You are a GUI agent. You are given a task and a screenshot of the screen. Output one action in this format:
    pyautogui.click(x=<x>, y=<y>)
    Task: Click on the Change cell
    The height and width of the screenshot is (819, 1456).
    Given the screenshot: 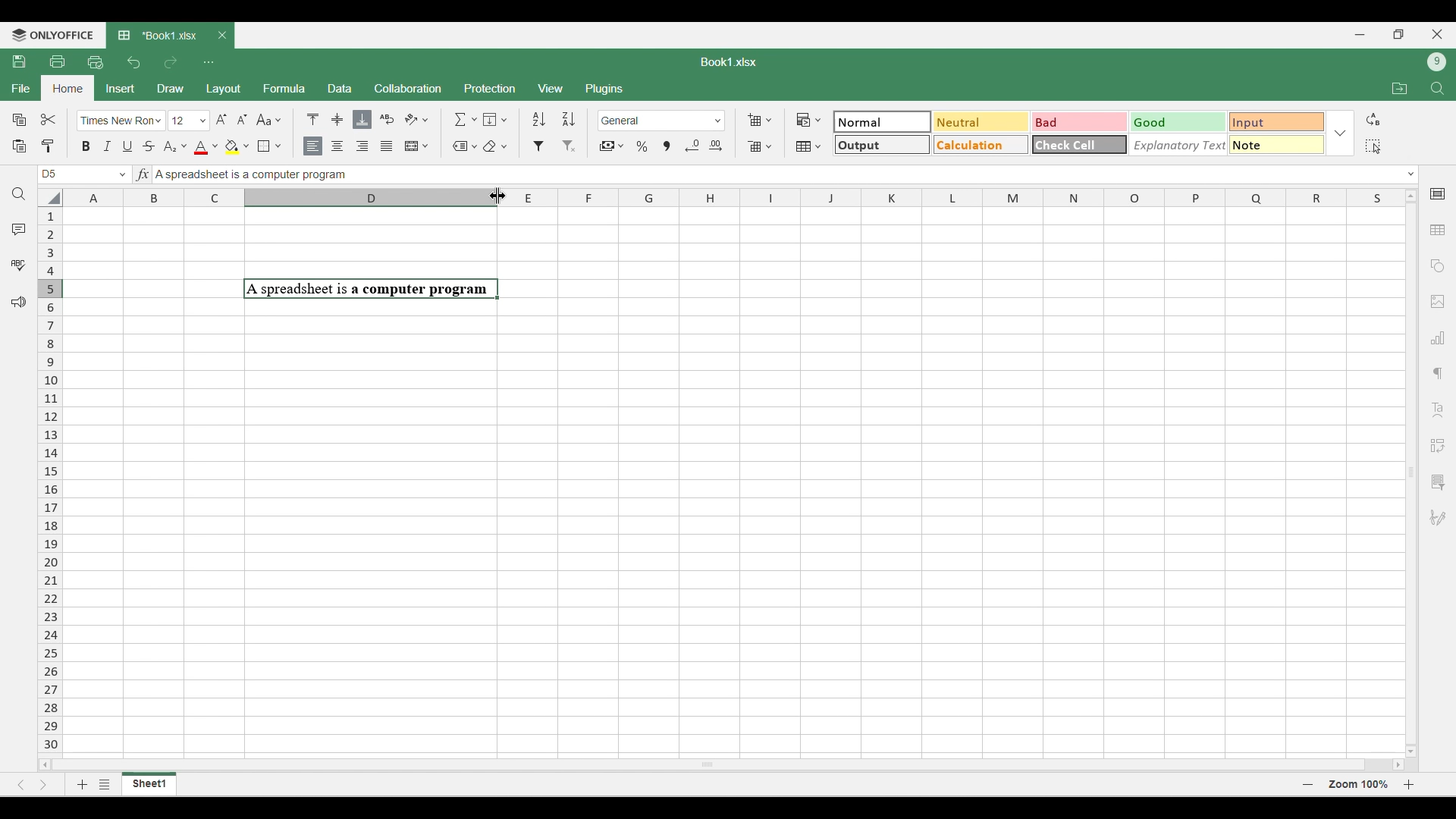 What is the action you would take?
    pyautogui.click(x=123, y=174)
    